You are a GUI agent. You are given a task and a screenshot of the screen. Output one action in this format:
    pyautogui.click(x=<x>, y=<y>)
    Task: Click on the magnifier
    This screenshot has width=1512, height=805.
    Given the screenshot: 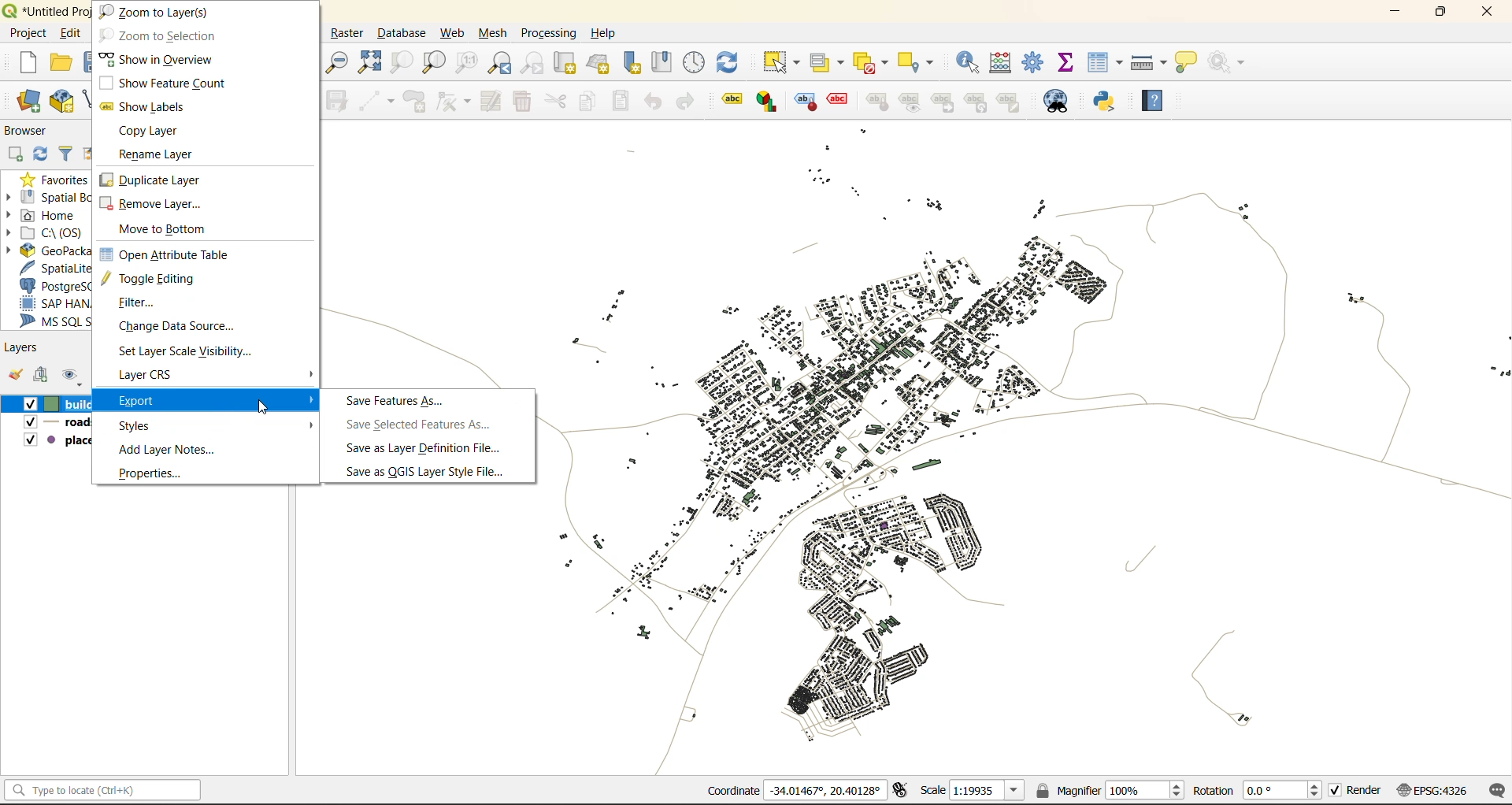 What is the action you would take?
    pyautogui.click(x=1109, y=792)
    